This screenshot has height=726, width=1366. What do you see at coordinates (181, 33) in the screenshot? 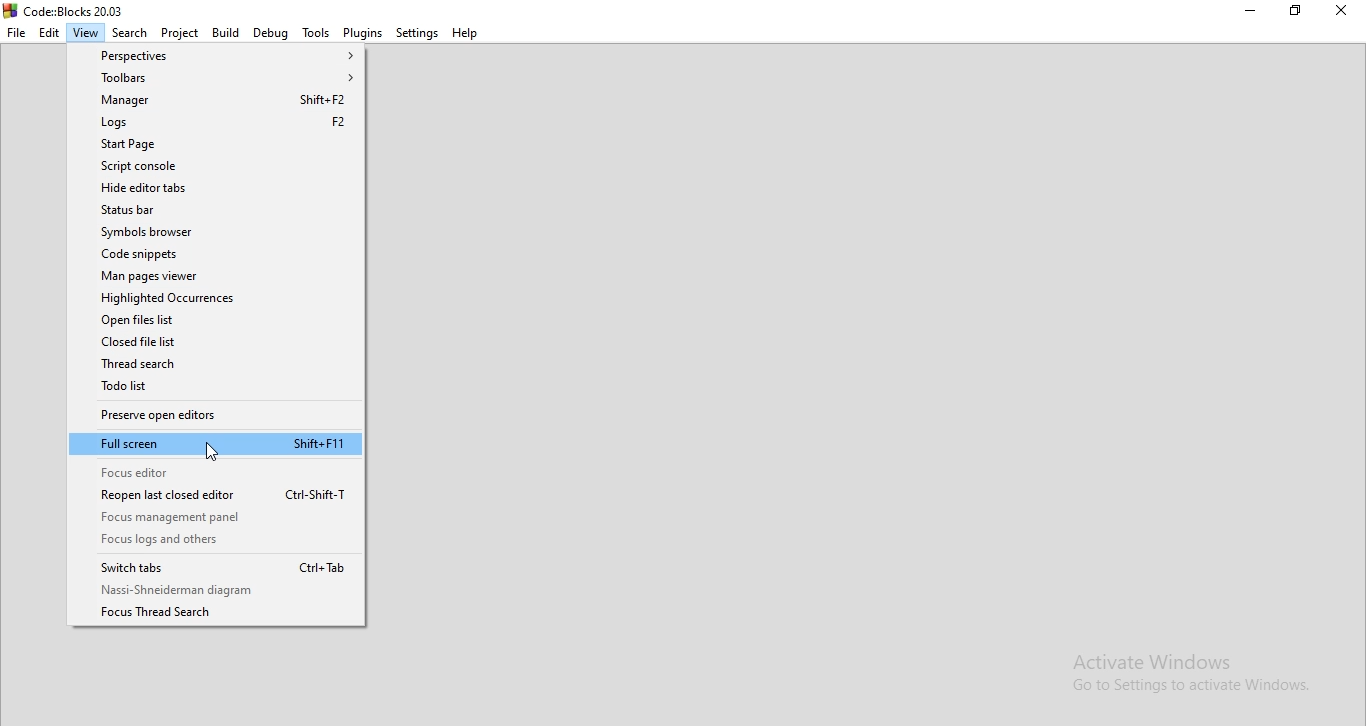
I see `Project ` at bounding box center [181, 33].